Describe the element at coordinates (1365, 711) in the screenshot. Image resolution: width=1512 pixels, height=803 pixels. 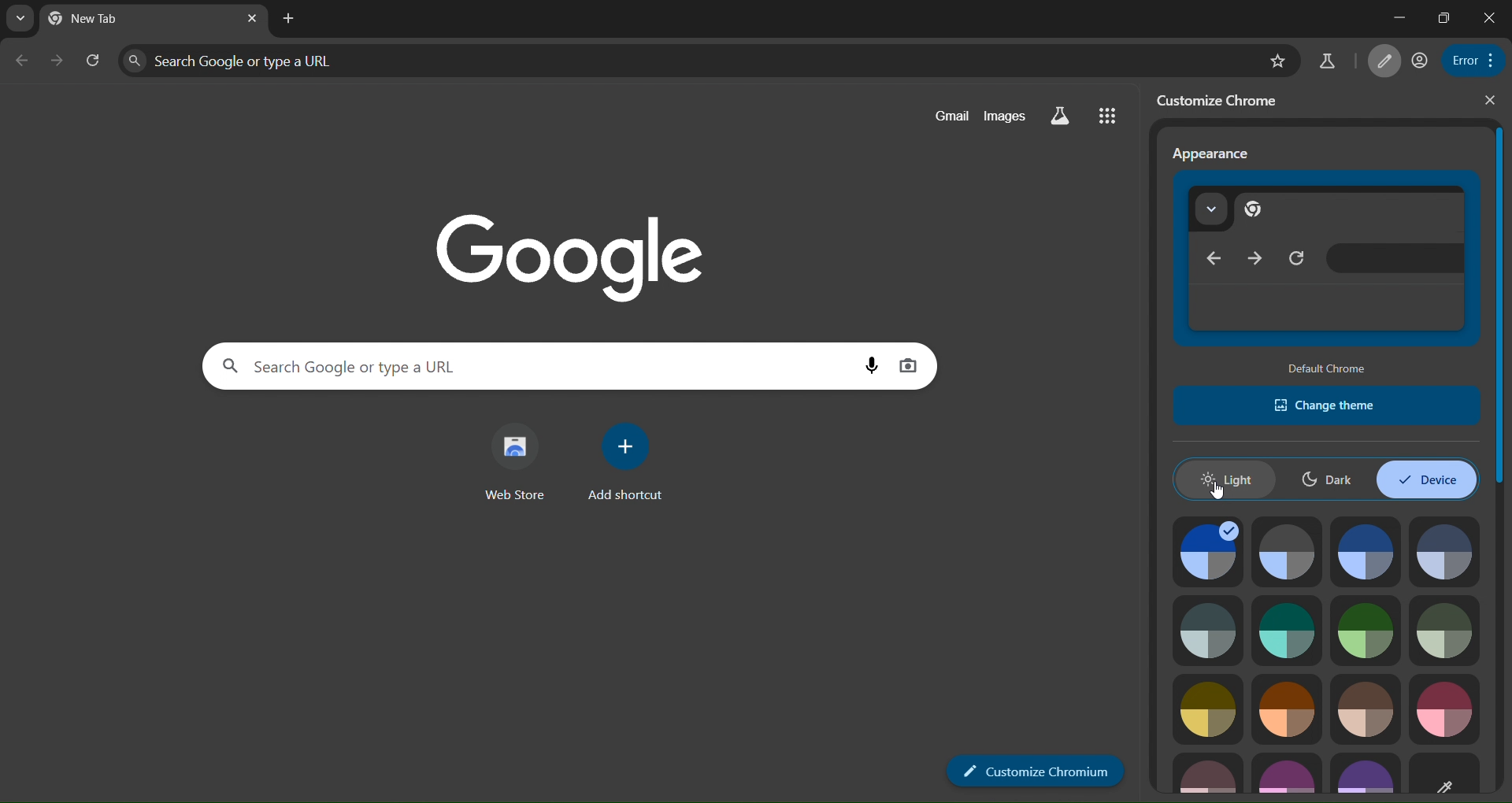
I see `image` at that location.